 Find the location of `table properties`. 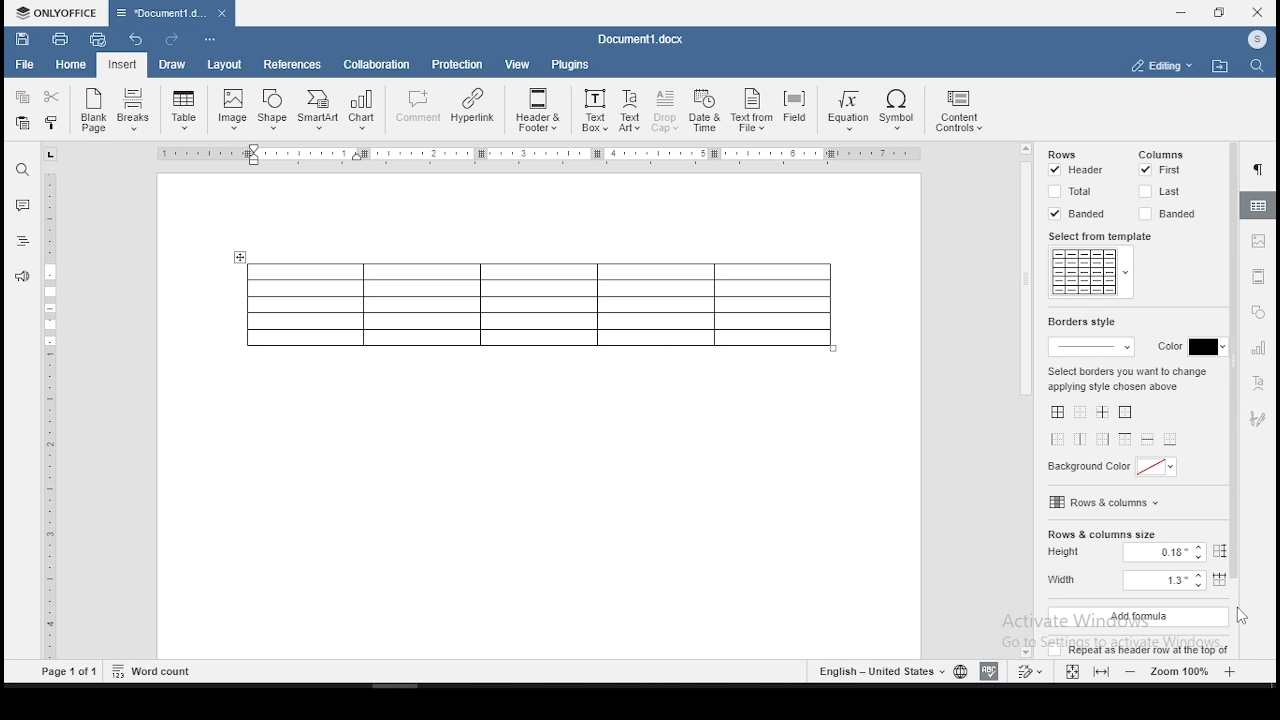

table properties is located at coordinates (1260, 205).